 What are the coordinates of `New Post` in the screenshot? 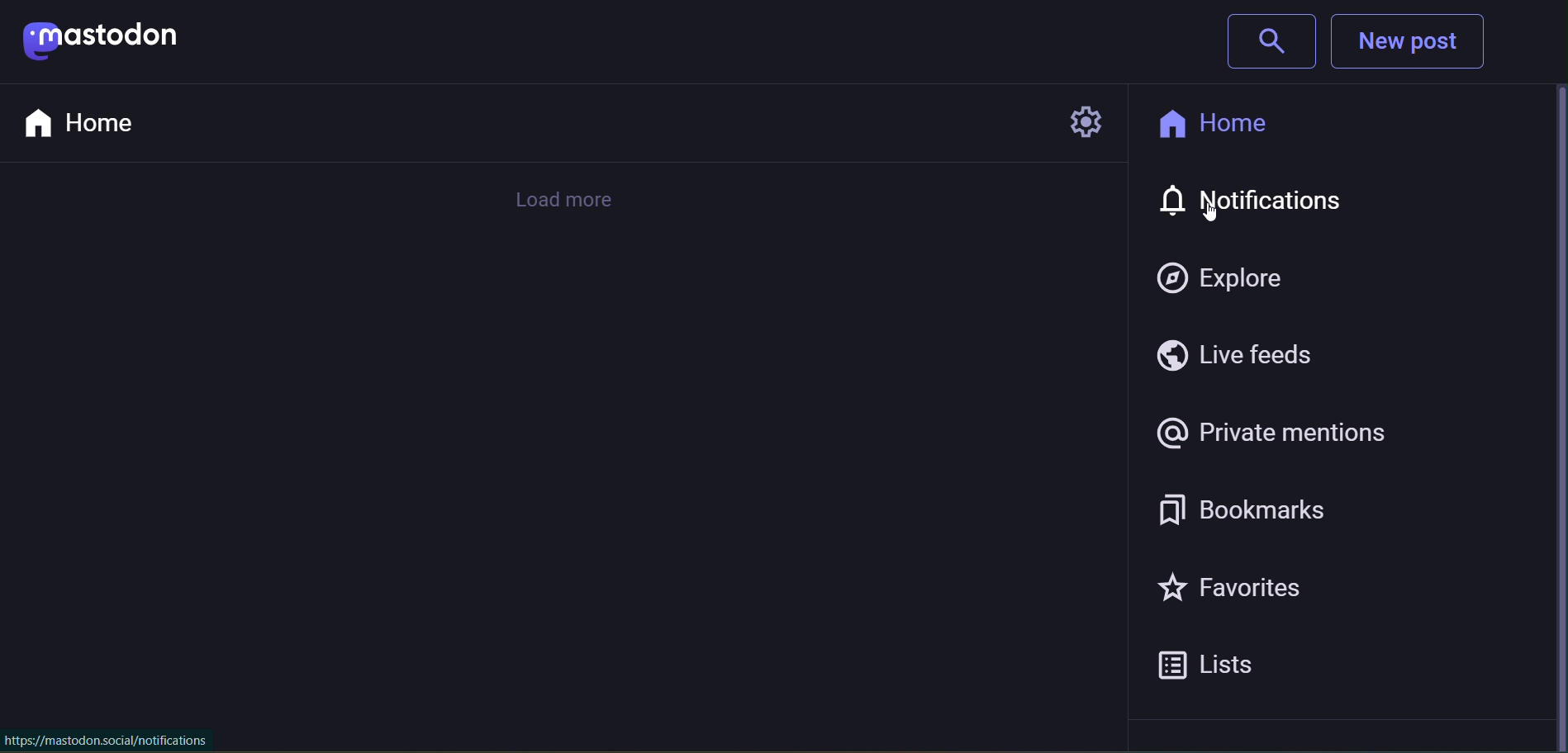 It's located at (1413, 44).